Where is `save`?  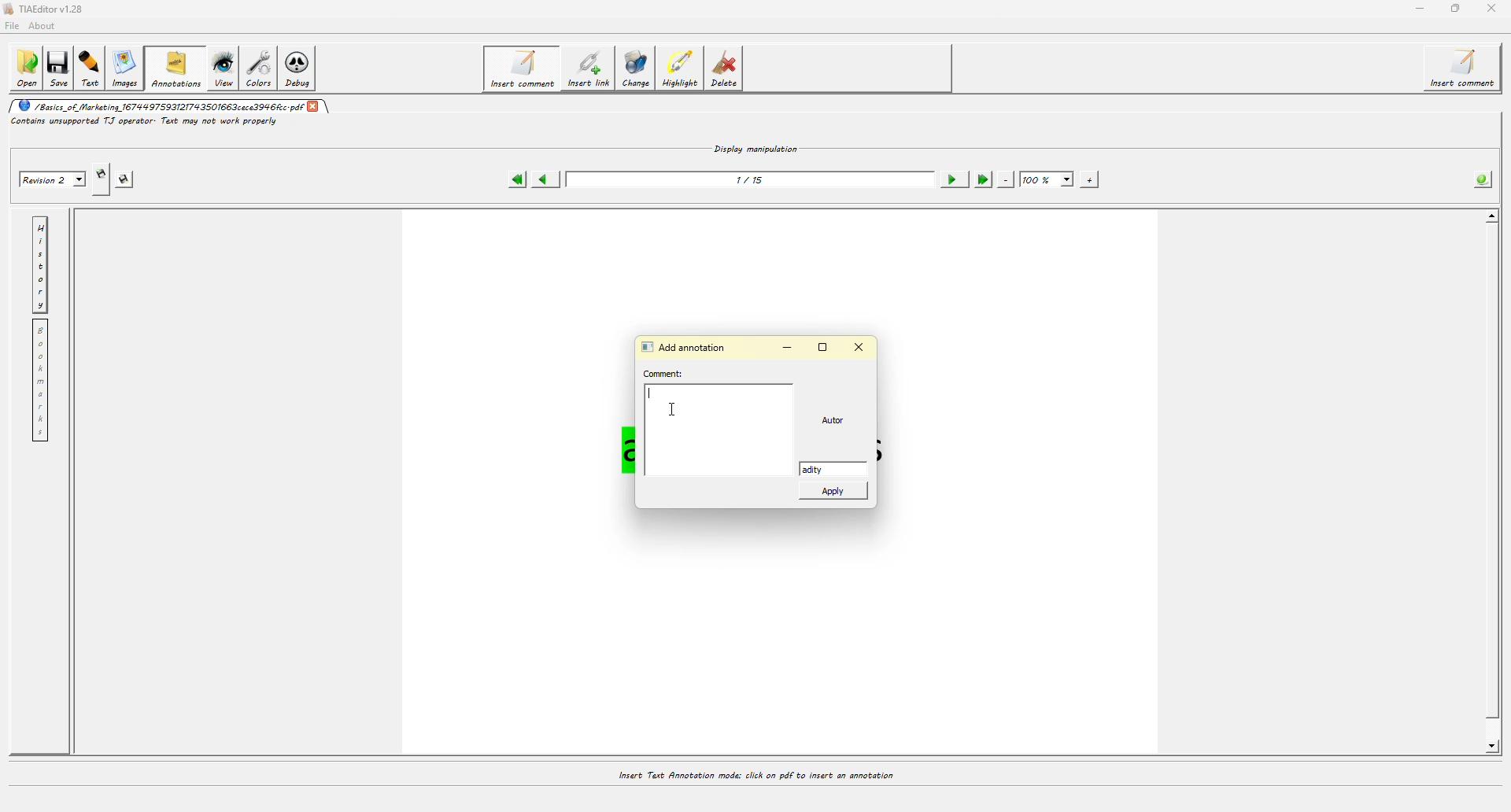 save is located at coordinates (61, 65).